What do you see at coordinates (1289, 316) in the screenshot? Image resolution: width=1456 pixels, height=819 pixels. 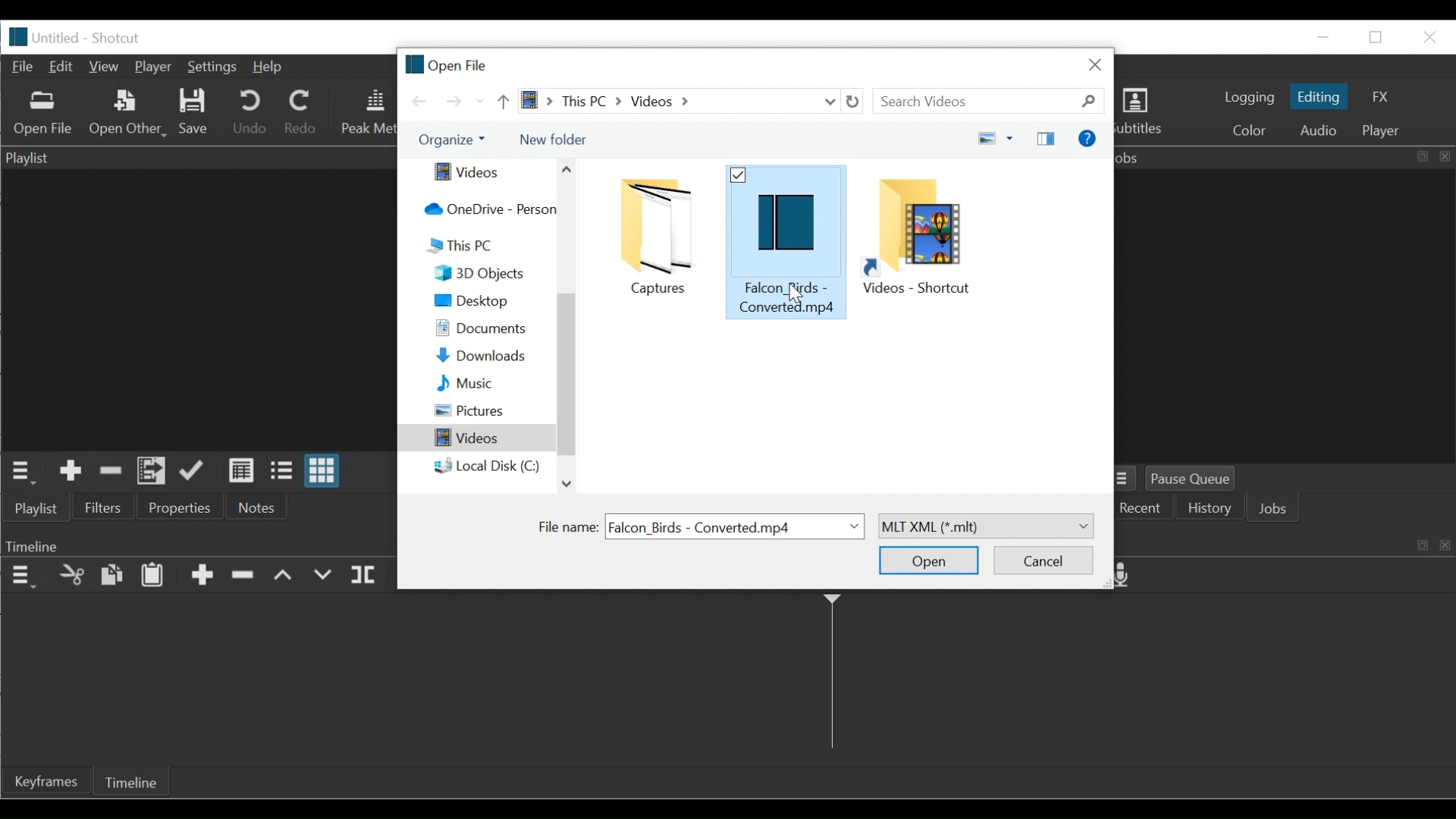 I see `Jobs Panel` at bounding box center [1289, 316].